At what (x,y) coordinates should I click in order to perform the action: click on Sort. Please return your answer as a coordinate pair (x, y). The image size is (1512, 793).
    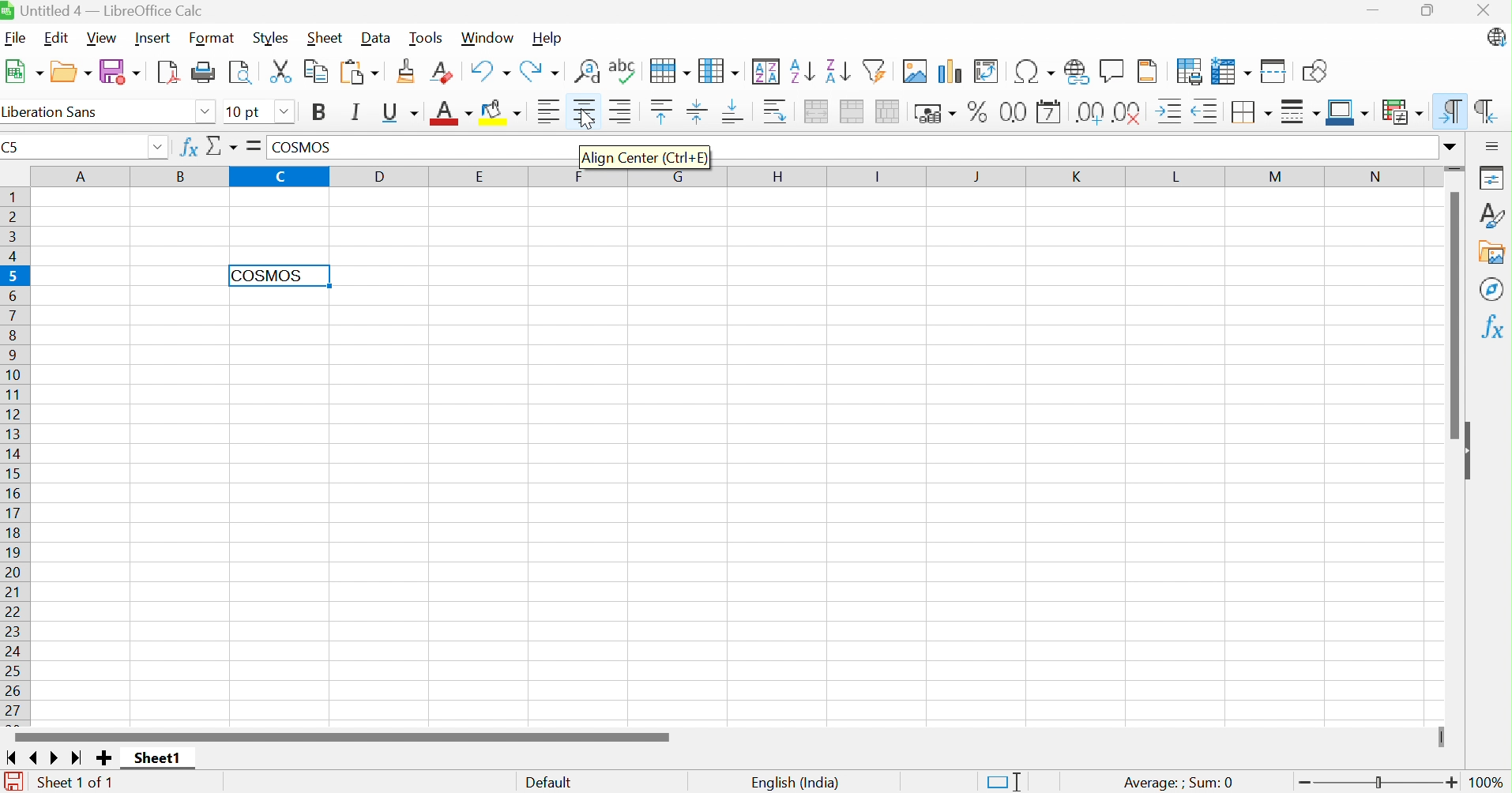
    Looking at the image, I should click on (766, 70).